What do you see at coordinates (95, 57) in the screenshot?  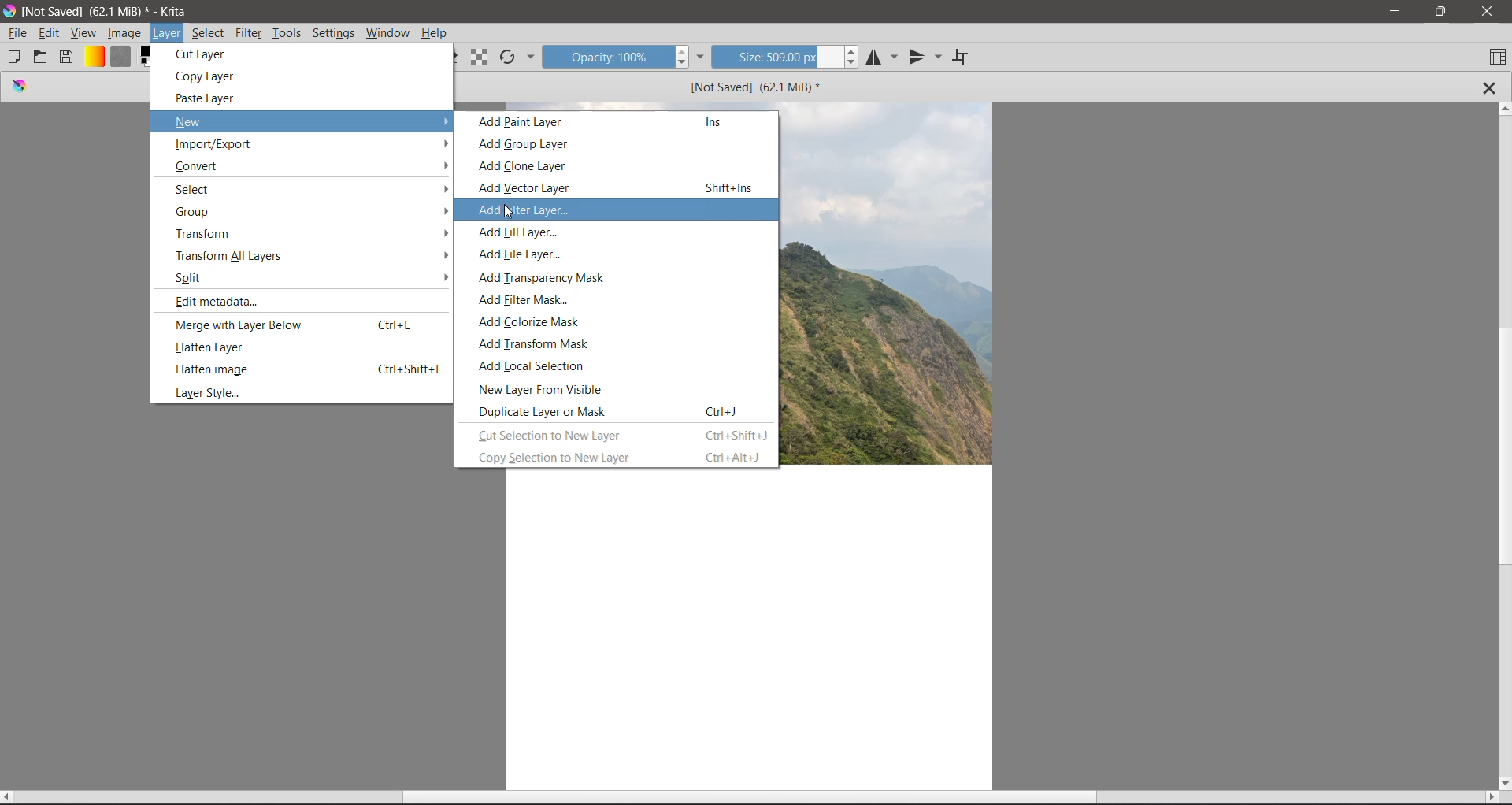 I see `Fill Gradients` at bounding box center [95, 57].